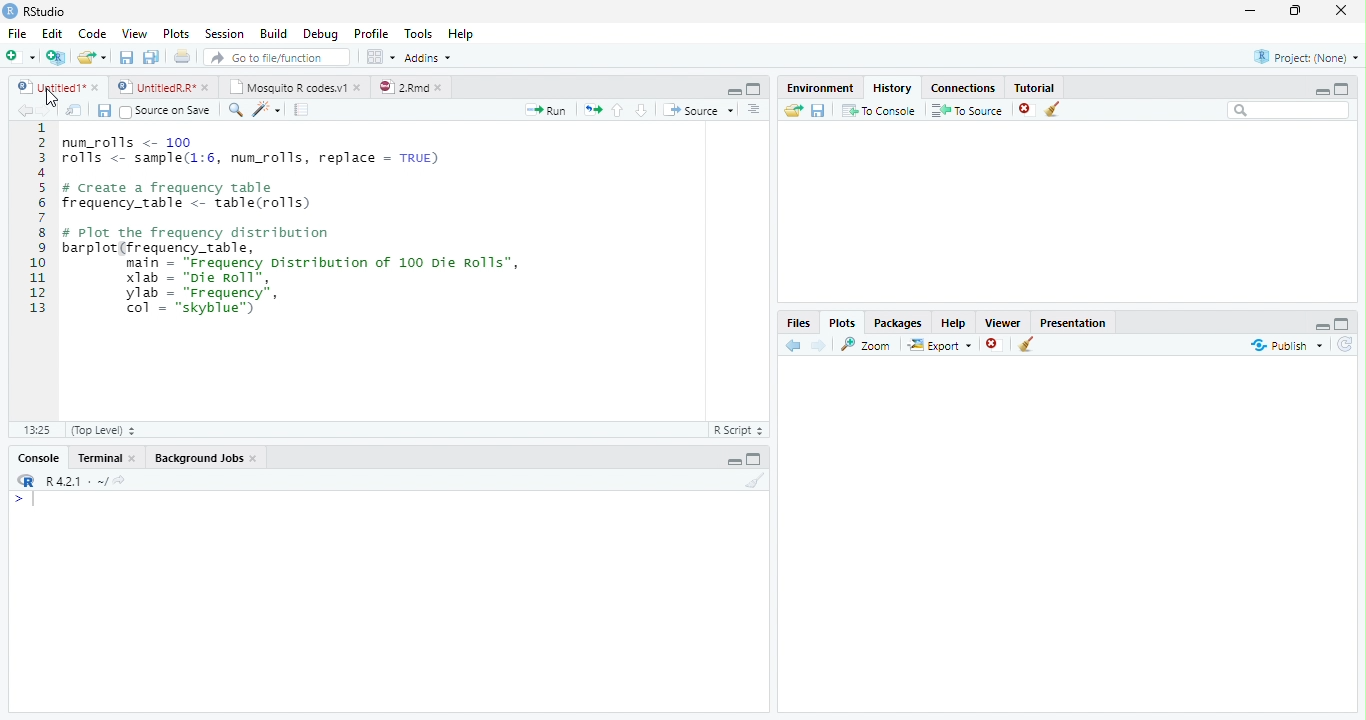  Describe the element at coordinates (1322, 327) in the screenshot. I see `Hide` at that location.